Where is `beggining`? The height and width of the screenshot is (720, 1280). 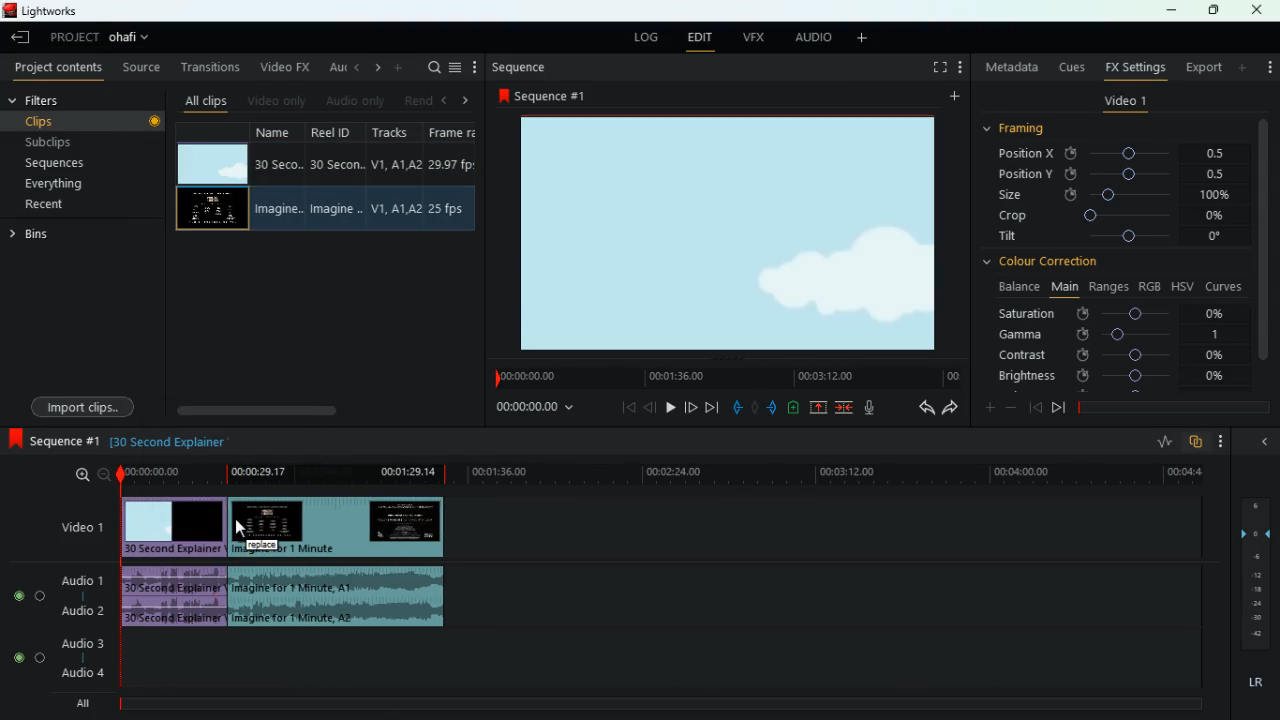
beggining is located at coordinates (622, 407).